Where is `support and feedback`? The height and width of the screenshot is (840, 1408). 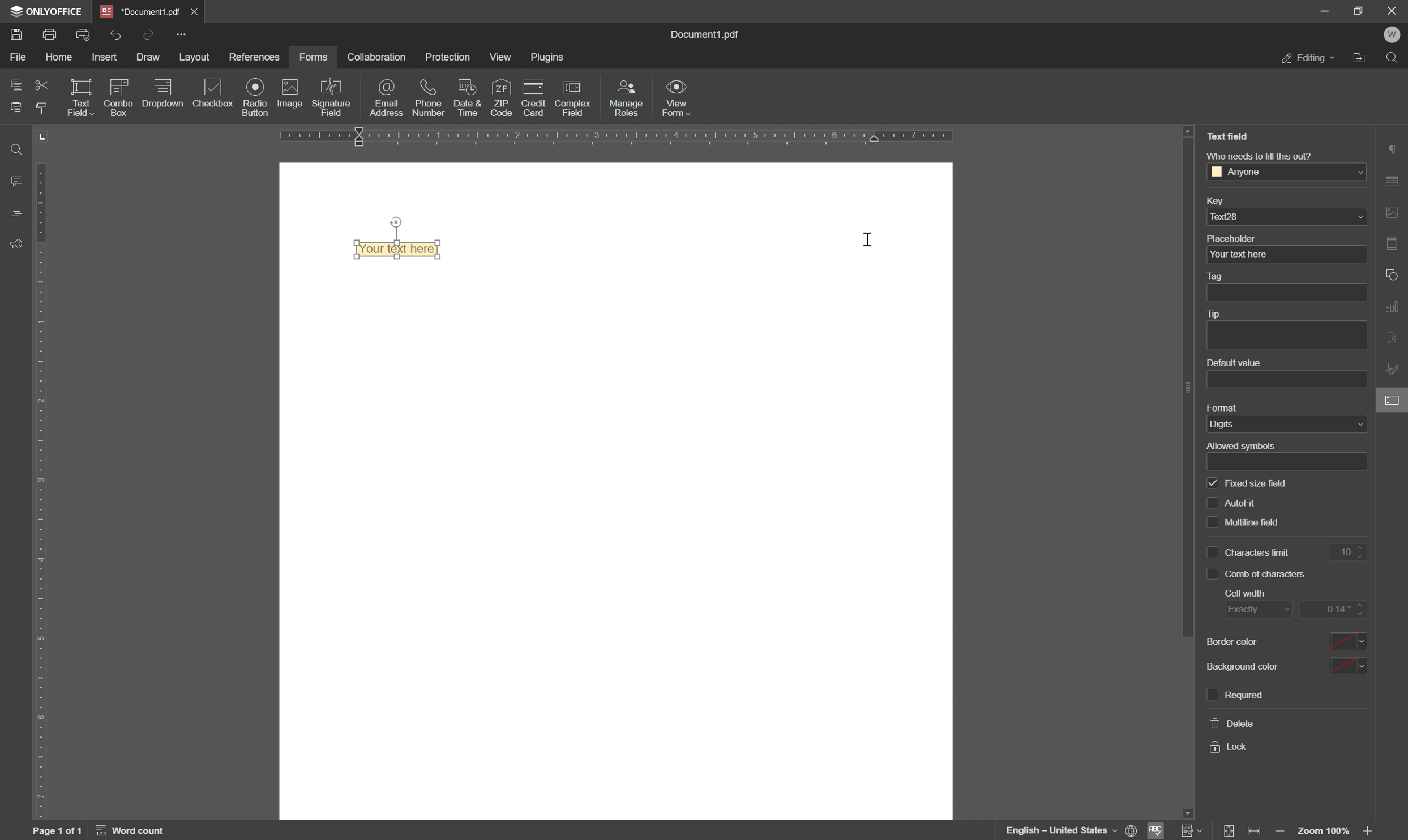 support and feedback is located at coordinates (11, 242).